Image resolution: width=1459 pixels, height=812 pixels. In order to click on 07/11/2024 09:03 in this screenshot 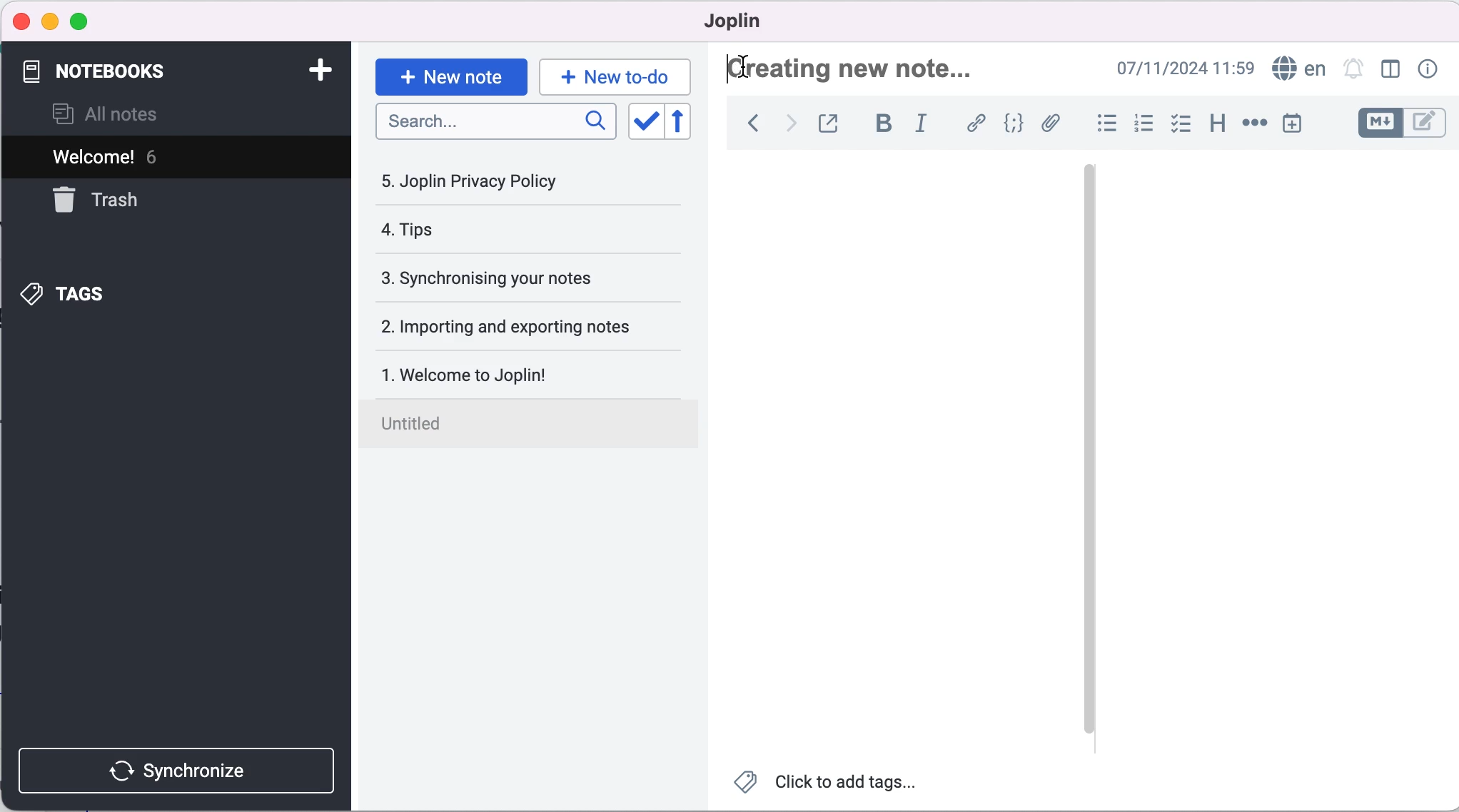, I will do `click(1171, 69)`.